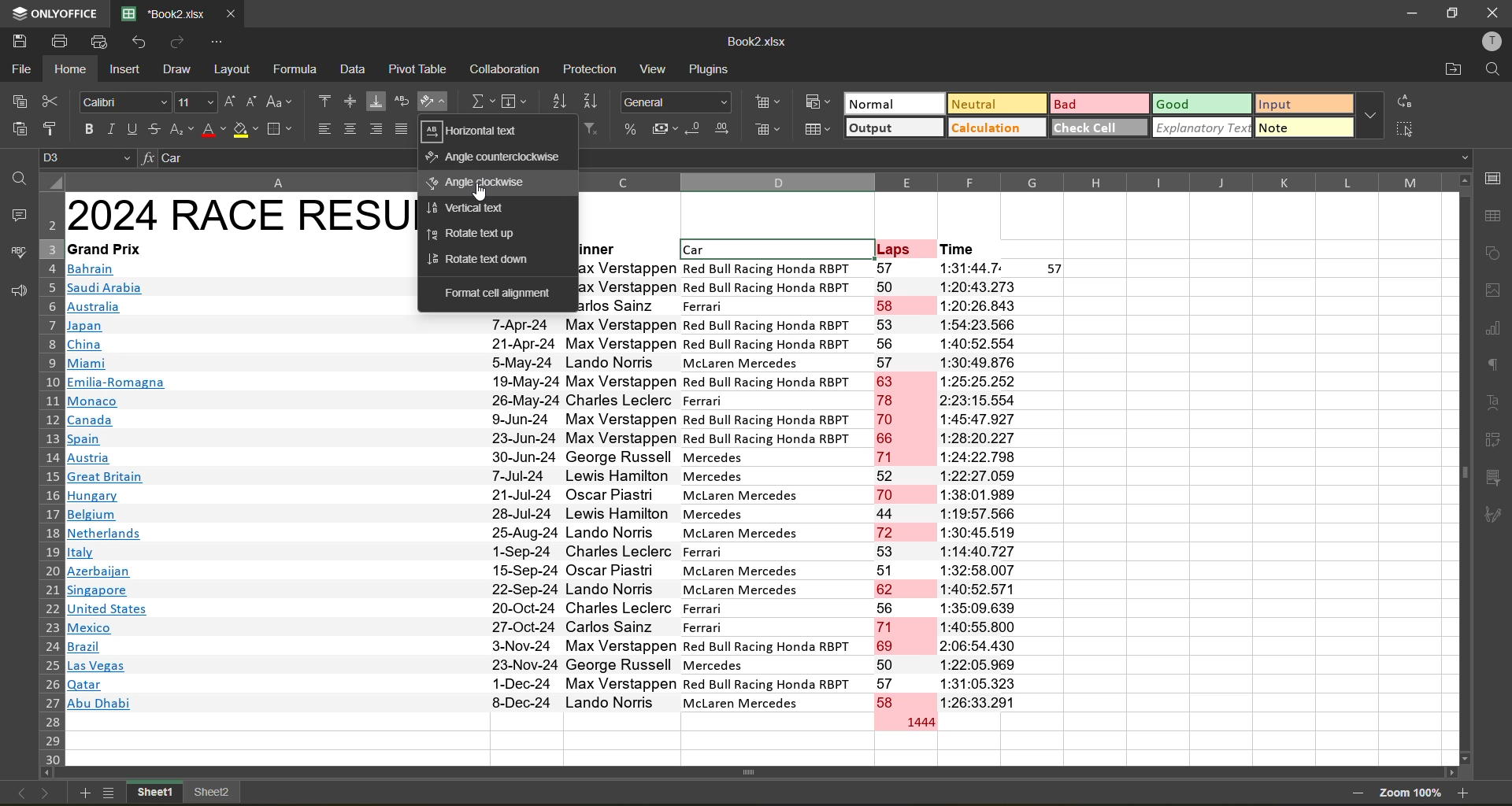 The image size is (1512, 806). What do you see at coordinates (179, 70) in the screenshot?
I see `draw` at bounding box center [179, 70].